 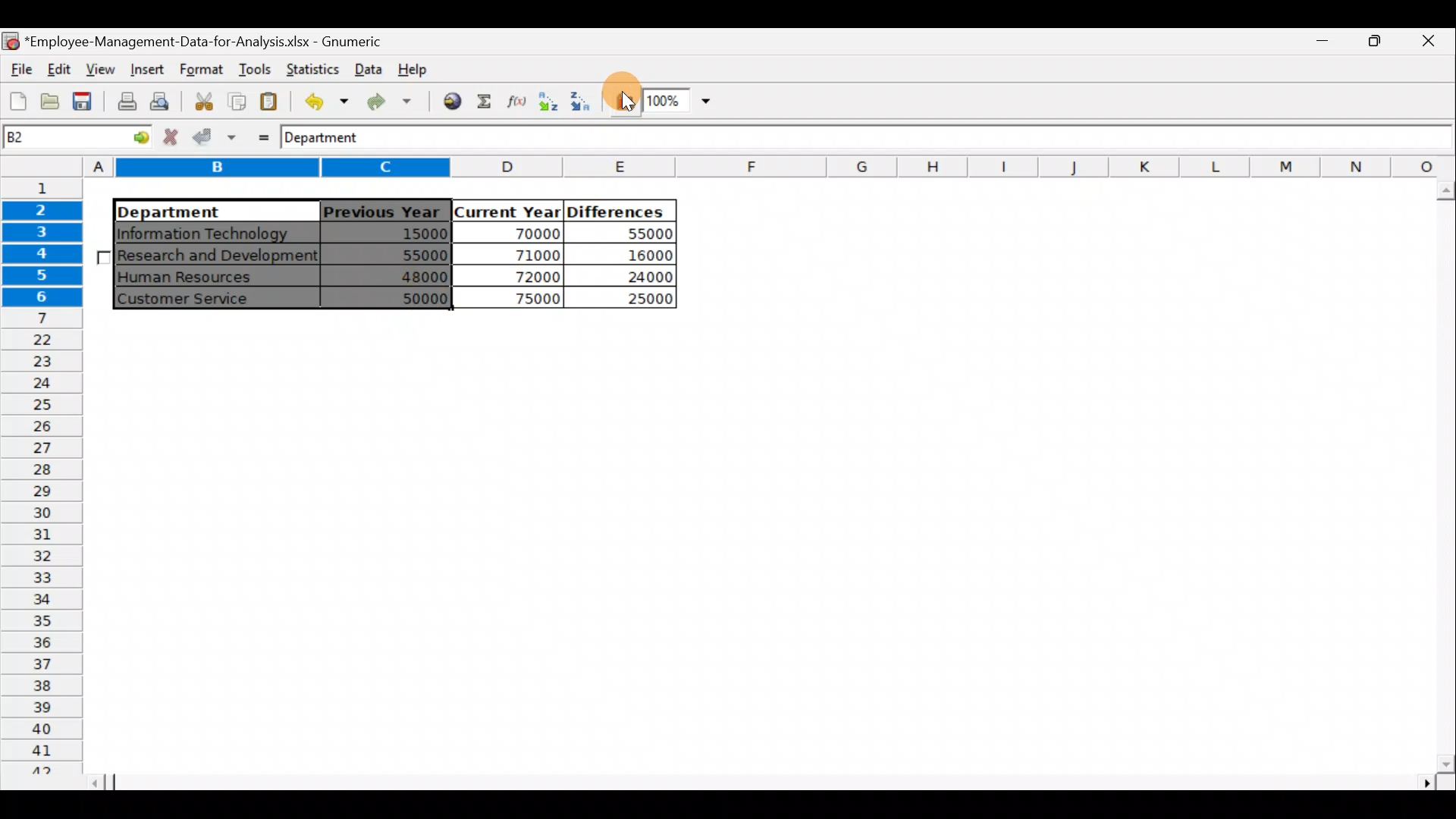 What do you see at coordinates (11, 40) in the screenshot?
I see `Gnumeric logo` at bounding box center [11, 40].